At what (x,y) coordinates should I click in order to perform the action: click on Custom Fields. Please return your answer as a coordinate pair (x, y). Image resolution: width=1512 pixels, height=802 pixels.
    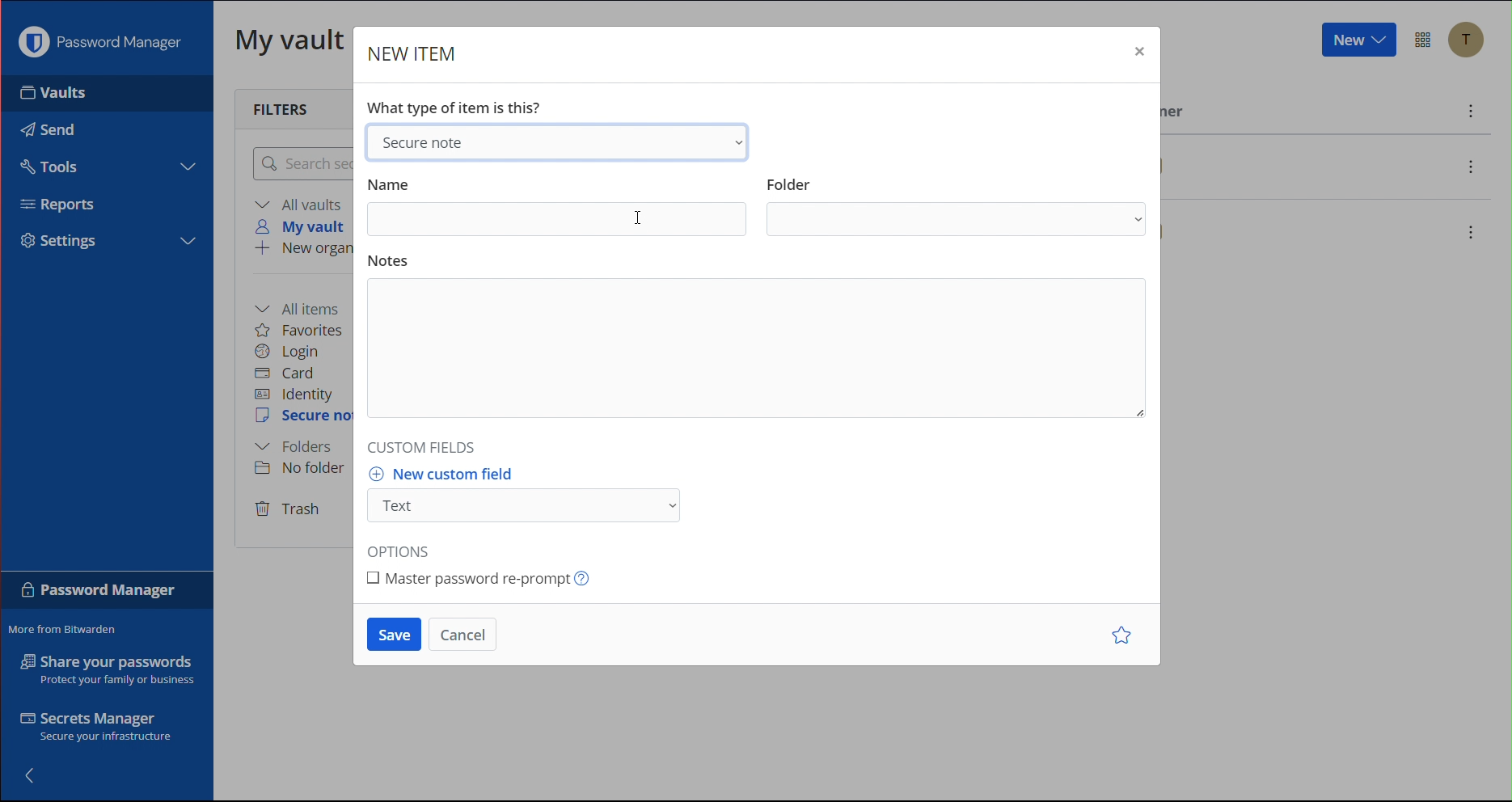
    Looking at the image, I should click on (424, 445).